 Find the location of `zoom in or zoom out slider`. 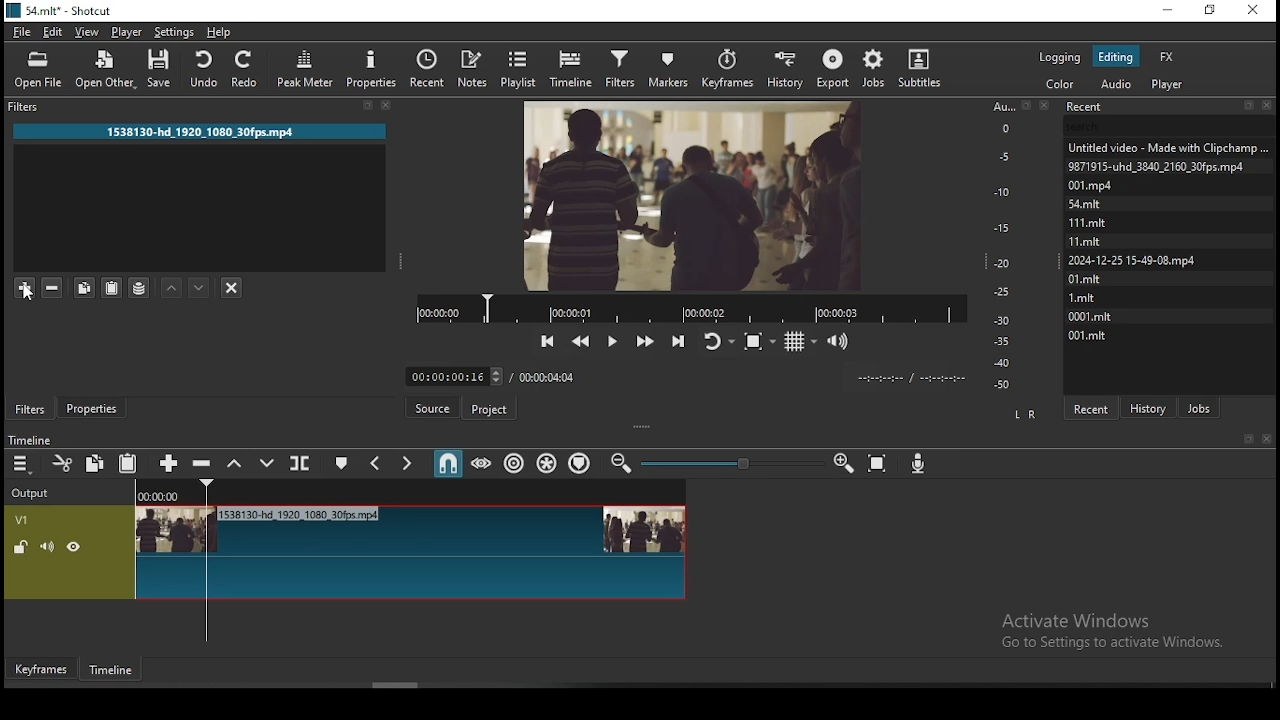

zoom in or zoom out slider is located at coordinates (732, 465).